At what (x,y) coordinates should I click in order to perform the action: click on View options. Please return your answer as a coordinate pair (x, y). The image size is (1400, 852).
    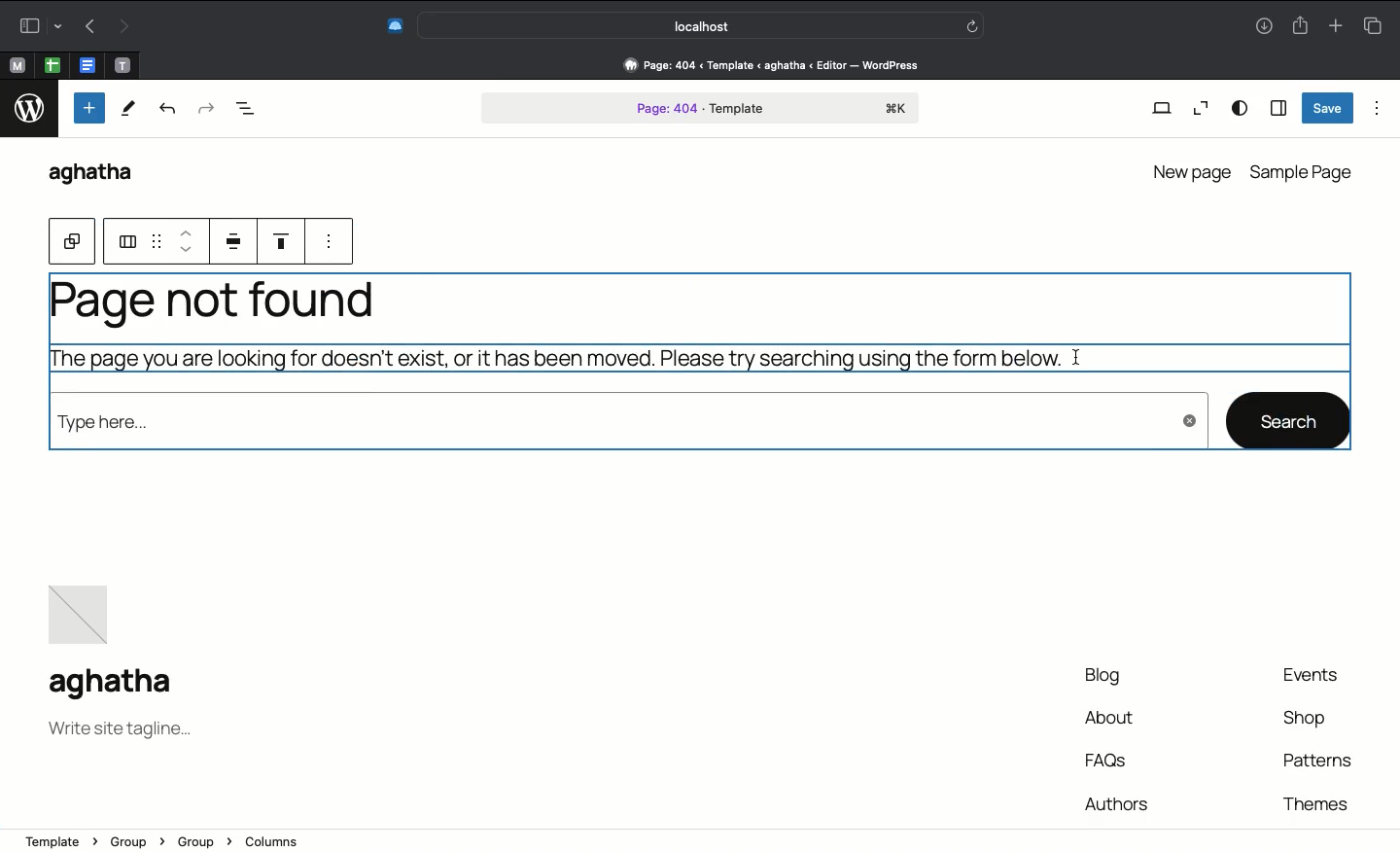
    Looking at the image, I should click on (1241, 109).